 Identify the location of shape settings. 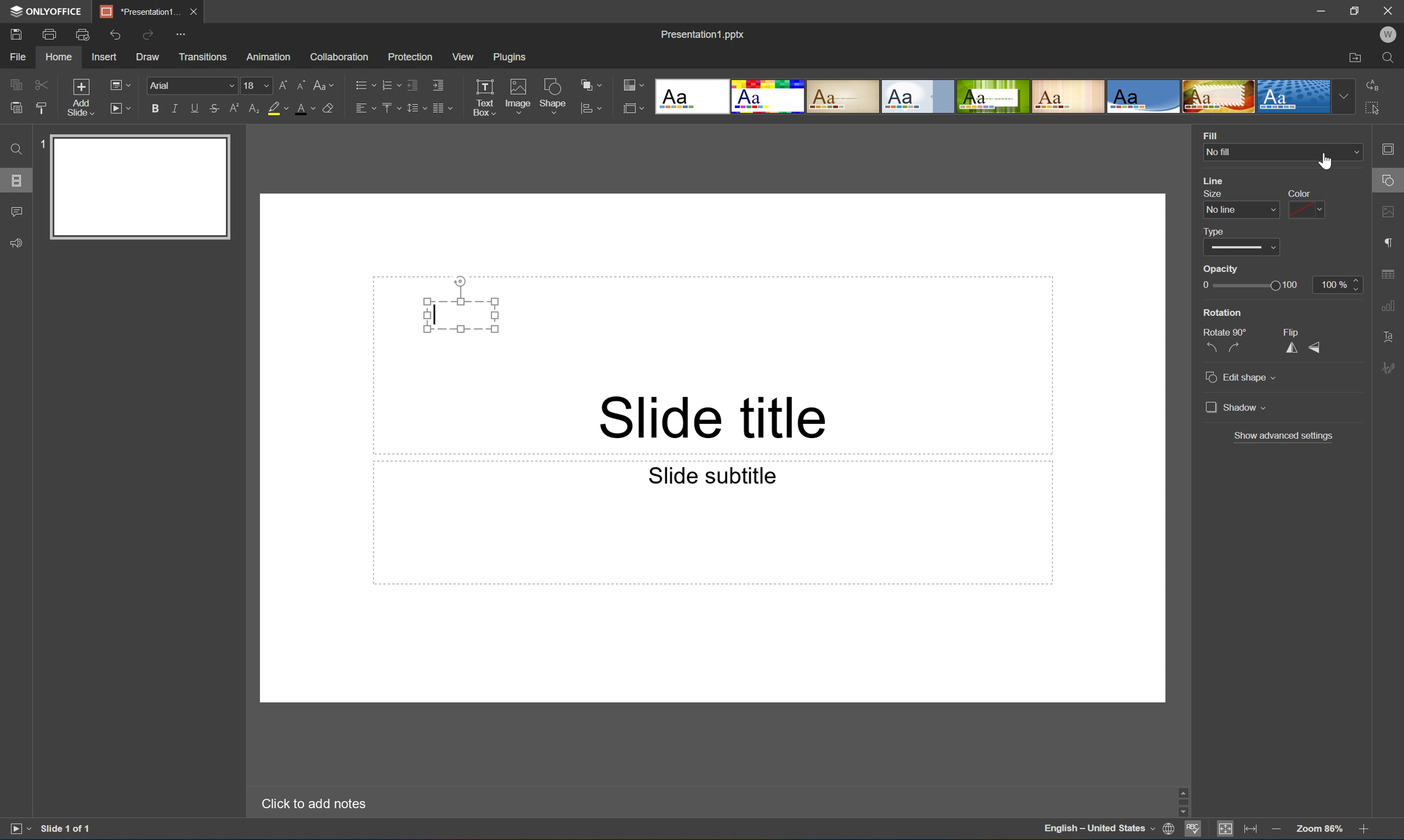
(1390, 181).